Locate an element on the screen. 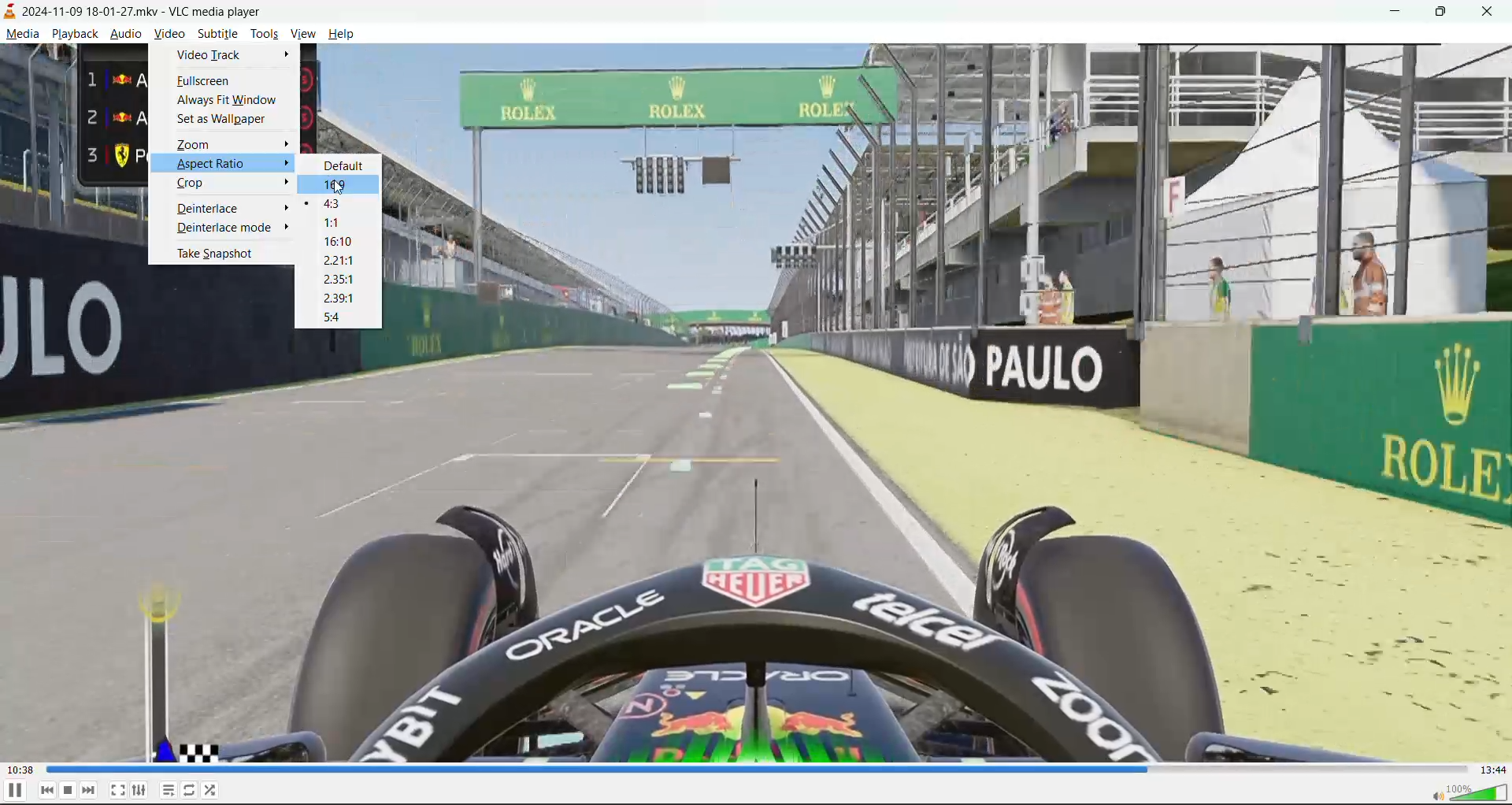 The height and width of the screenshot is (805, 1512). next is located at coordinates (87, 792).